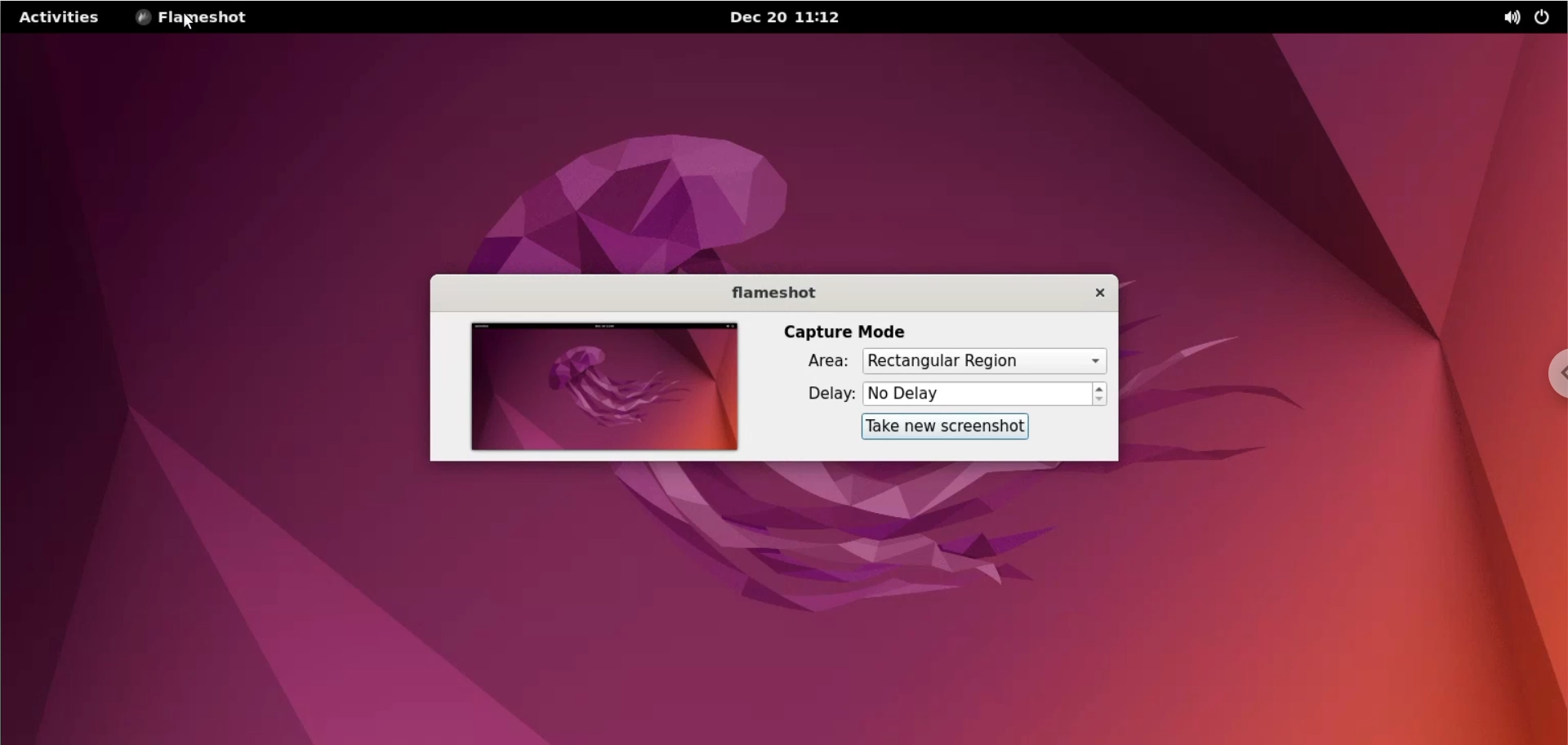 This screenshot has height=745, width=1568. Describe the element at coordinates (817, 361) in the screenshot. I see `Area` at that location.